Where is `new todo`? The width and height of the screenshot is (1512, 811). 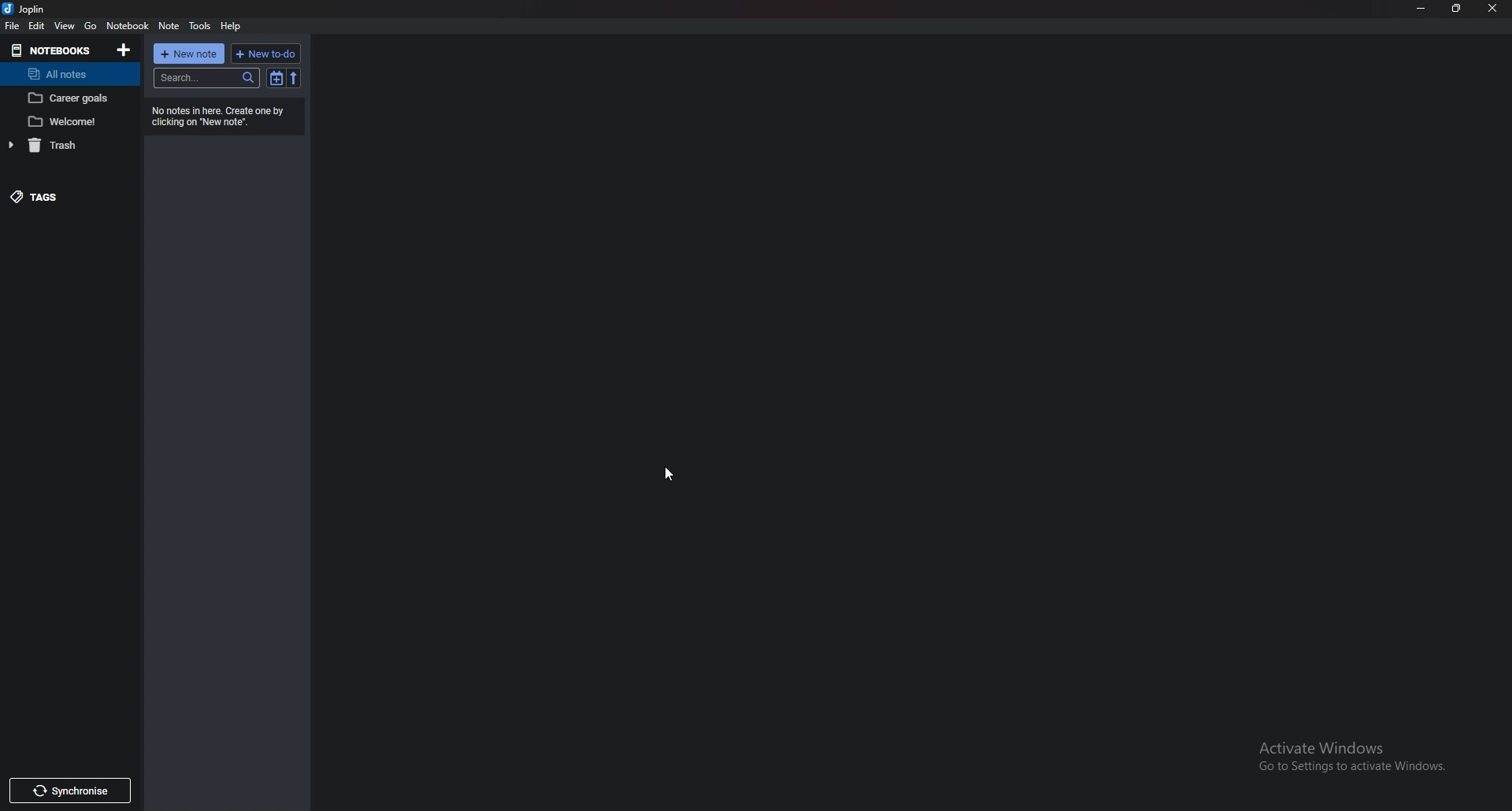
new todo is located at coordinates (266, 54).